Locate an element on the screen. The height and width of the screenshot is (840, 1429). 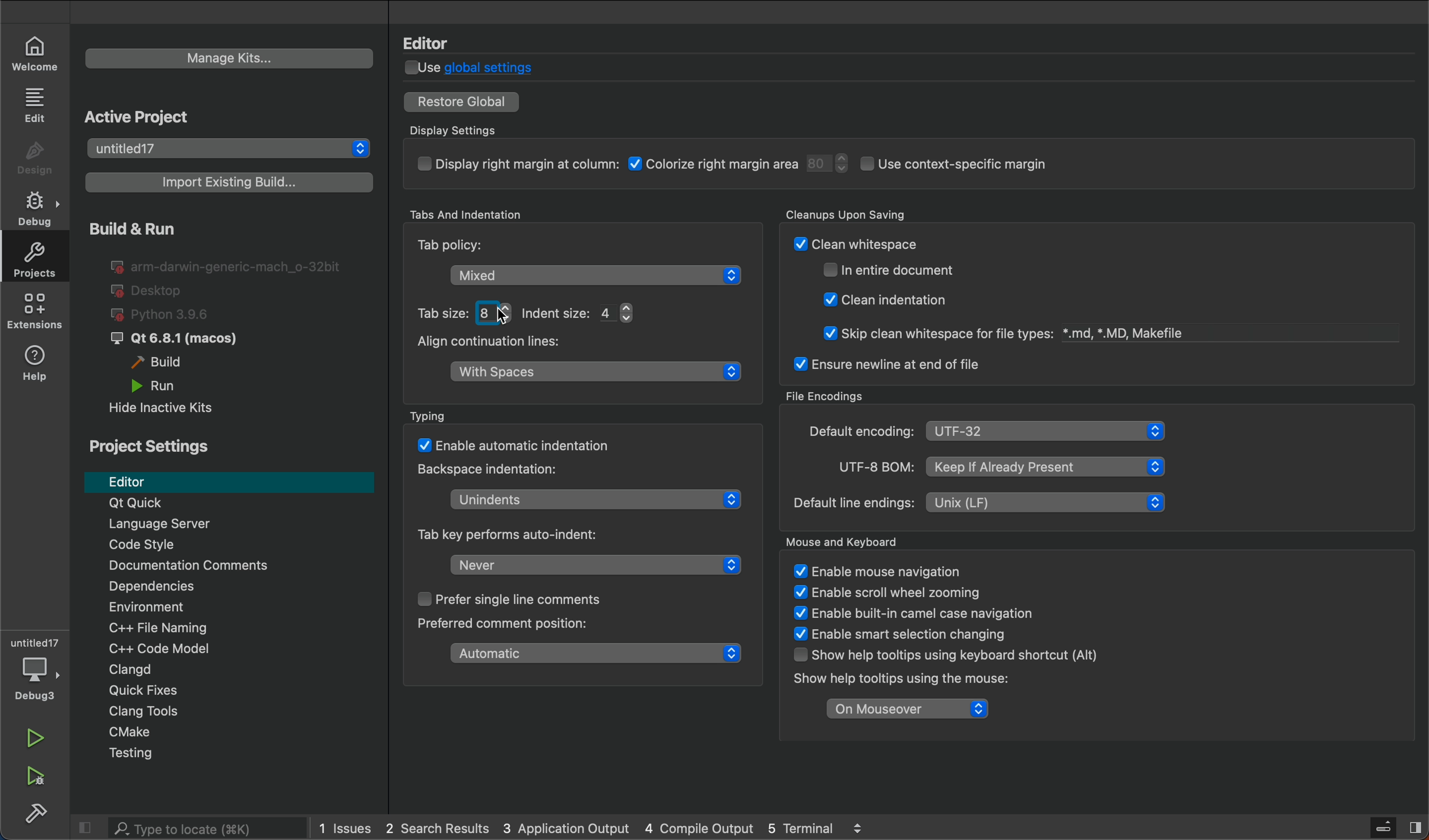
enable built in is located at coordinates (905, 613).